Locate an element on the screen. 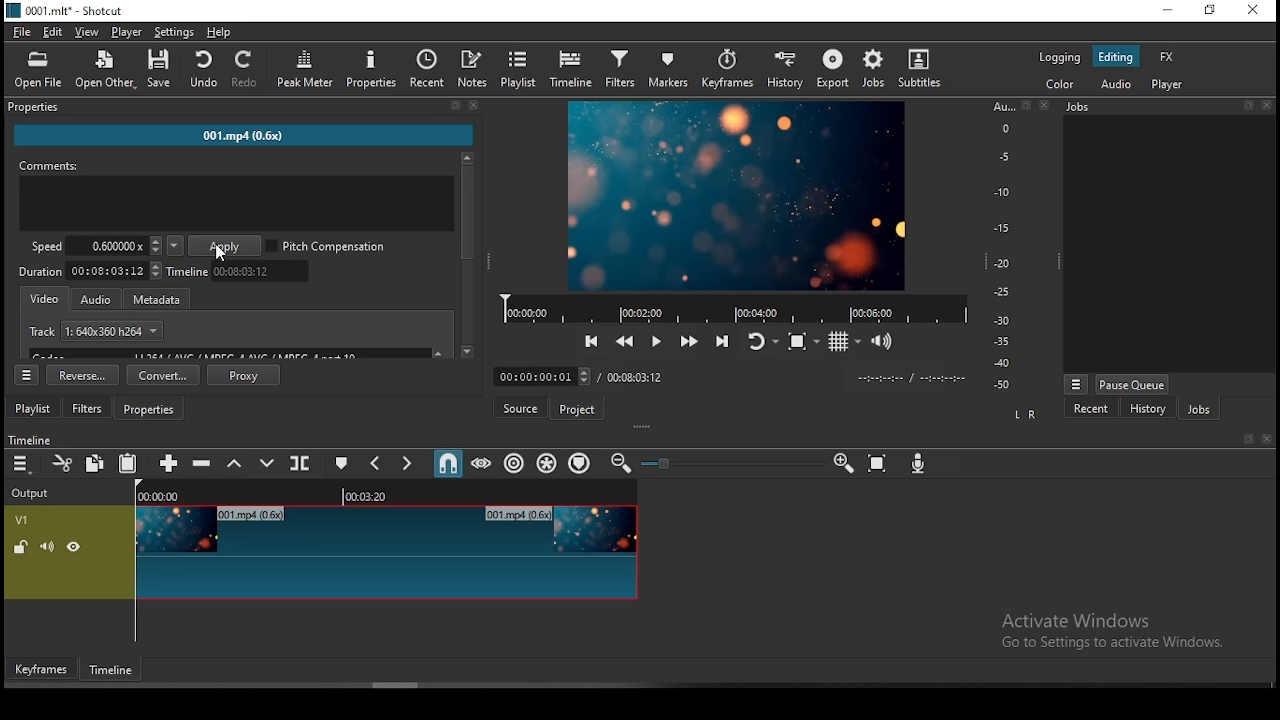  file is located at coordinates (23, 32).